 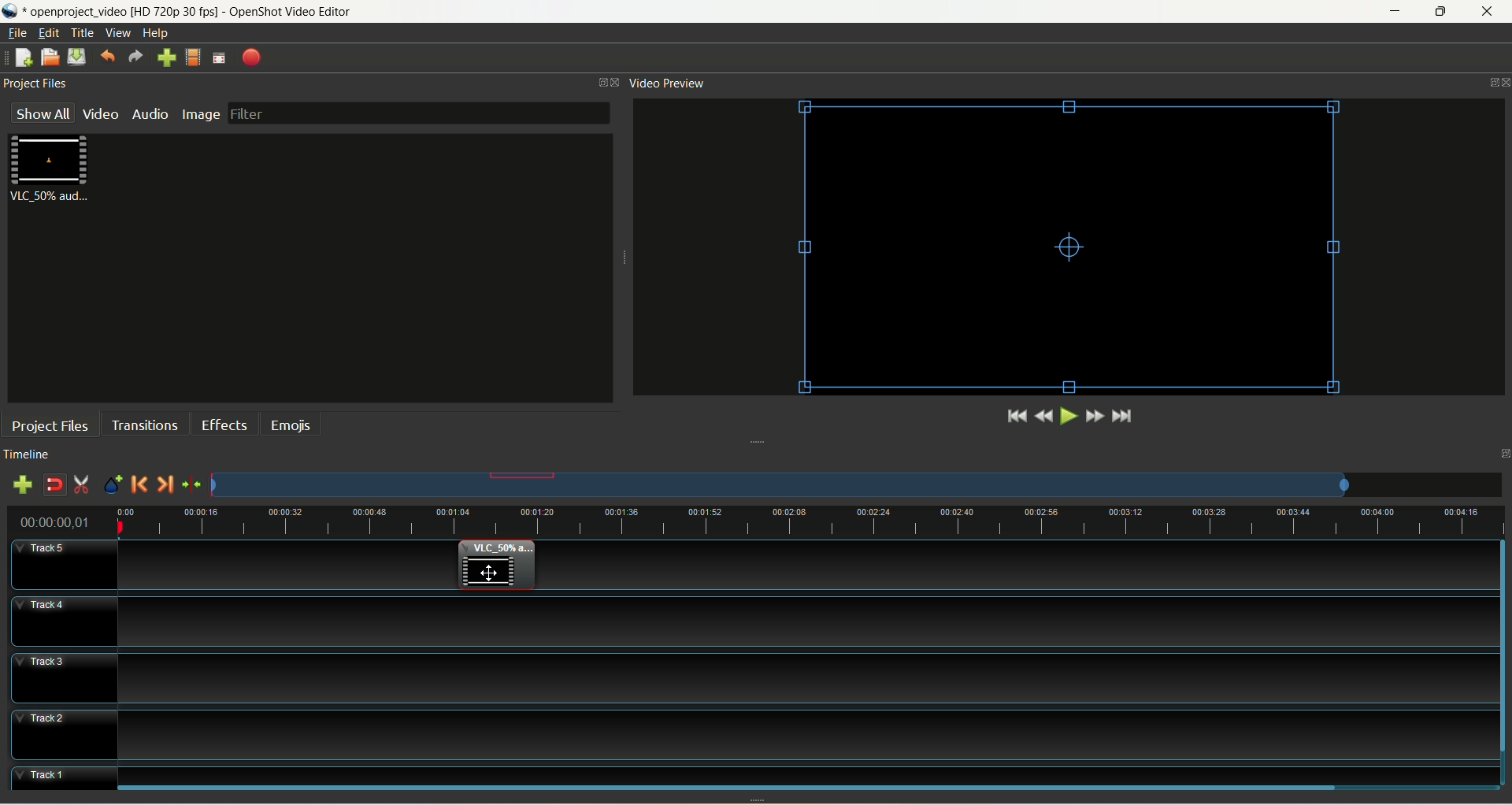 I want to click on track3, so click(x=64, y=677).